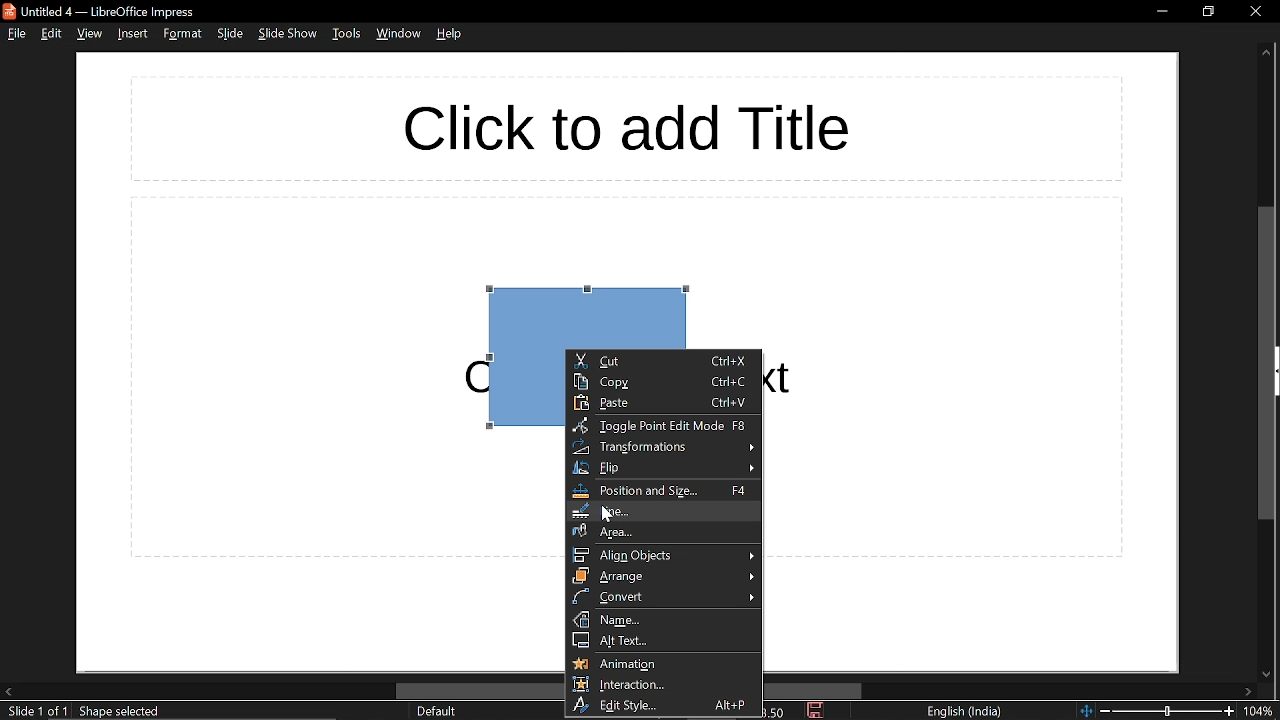  I want to click on transformation, so click(663, 448).